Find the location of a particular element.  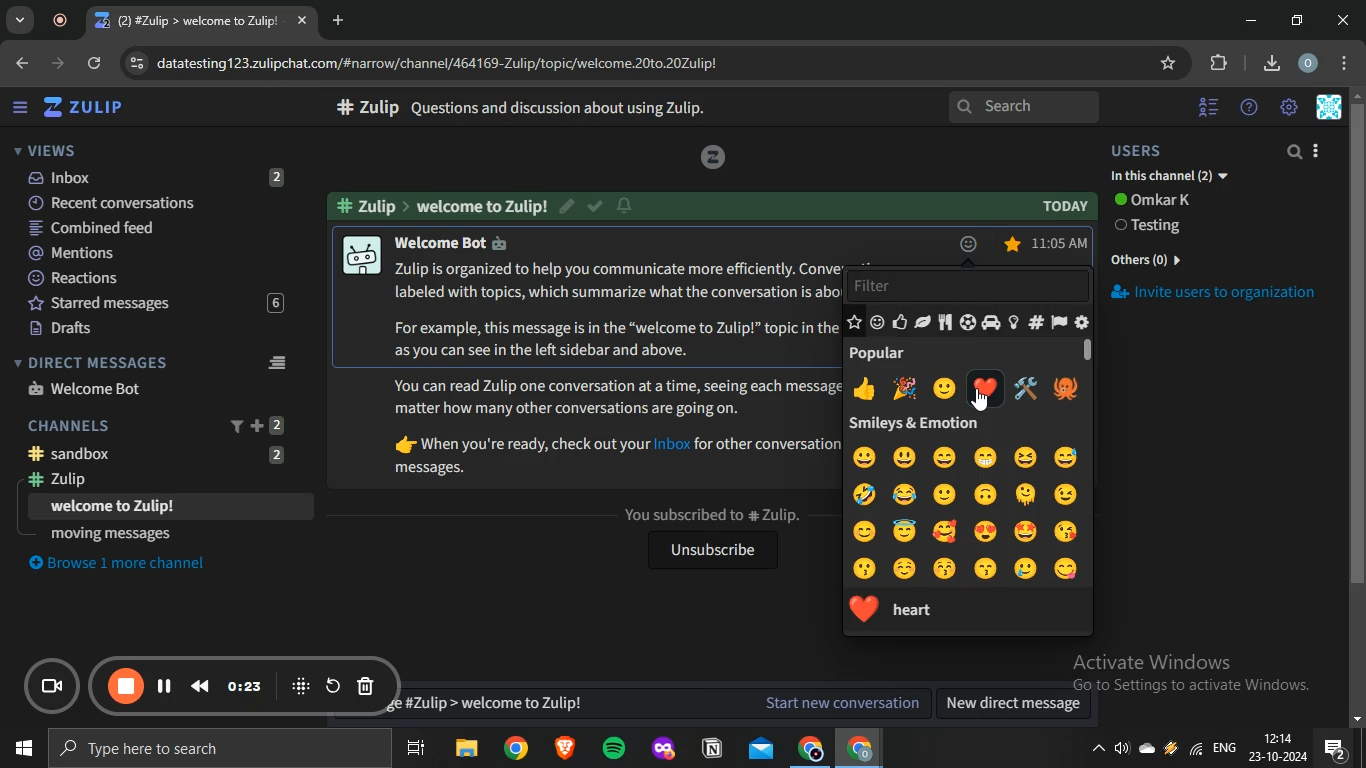

hide user list menu is located at coordinates (1209, 104).